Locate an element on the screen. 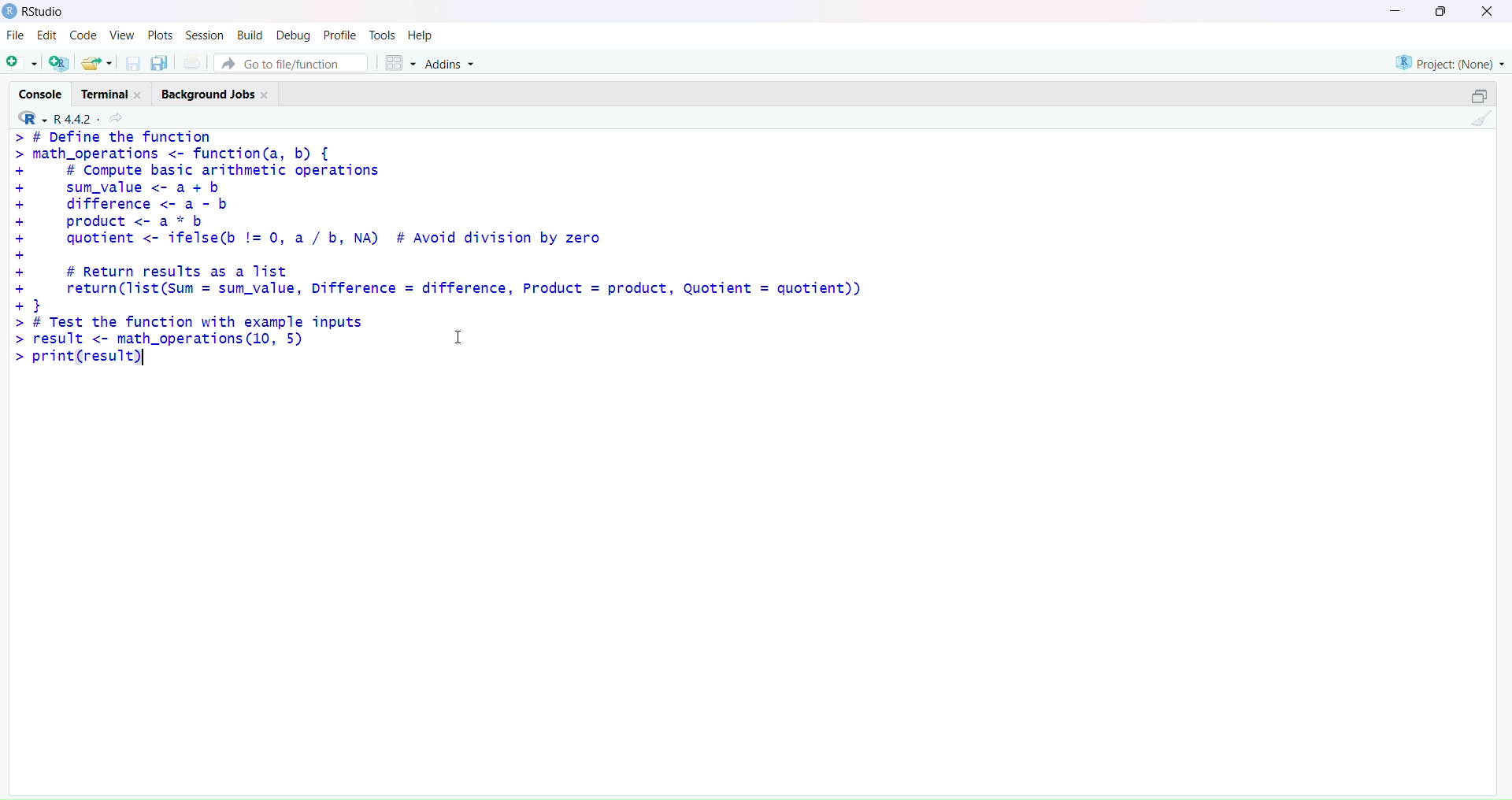 The image size is (1512, 800). View is located at coordinates (122, 35).